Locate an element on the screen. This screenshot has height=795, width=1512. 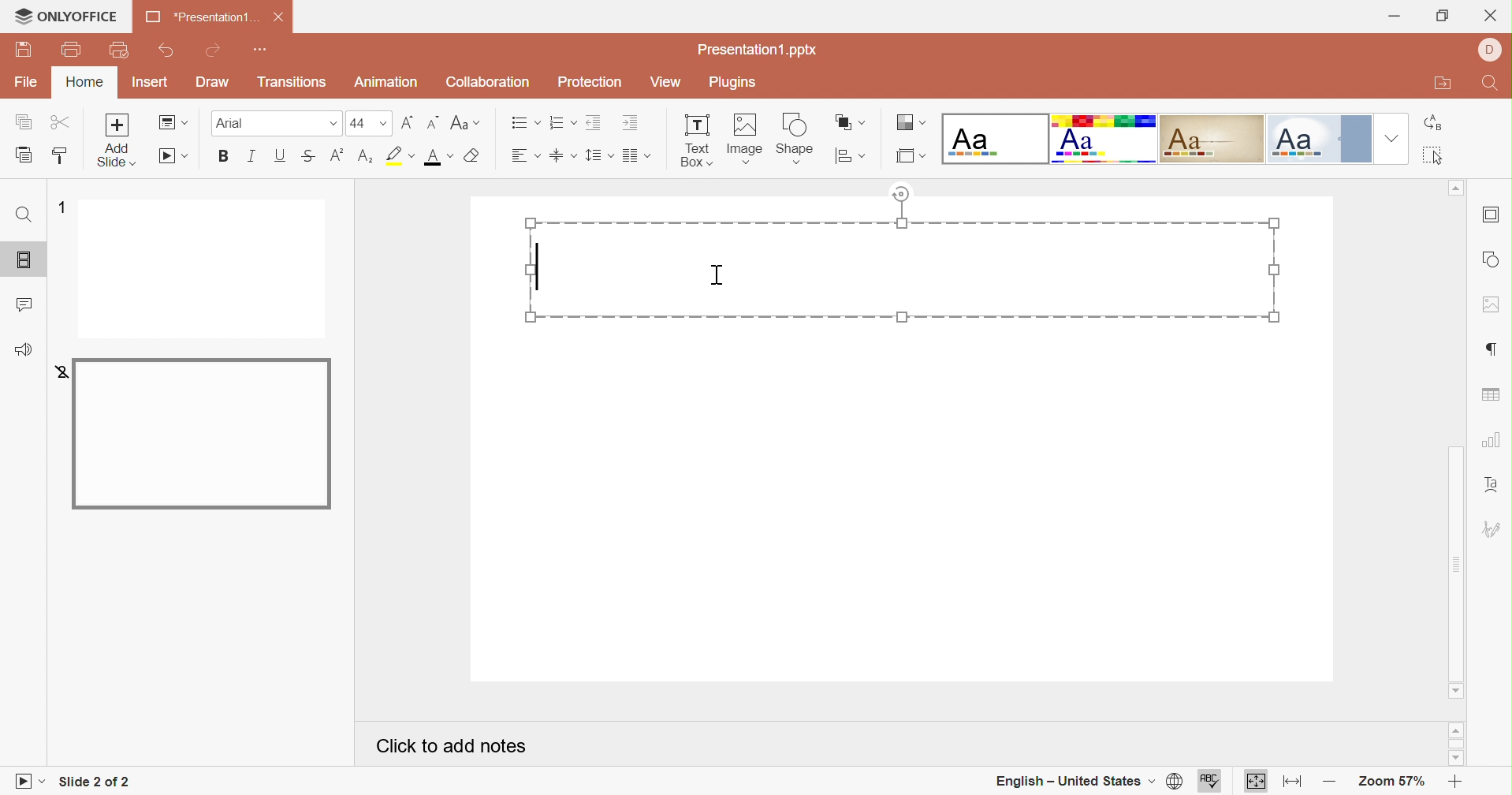
Insert is located at coordinates (151, 82).